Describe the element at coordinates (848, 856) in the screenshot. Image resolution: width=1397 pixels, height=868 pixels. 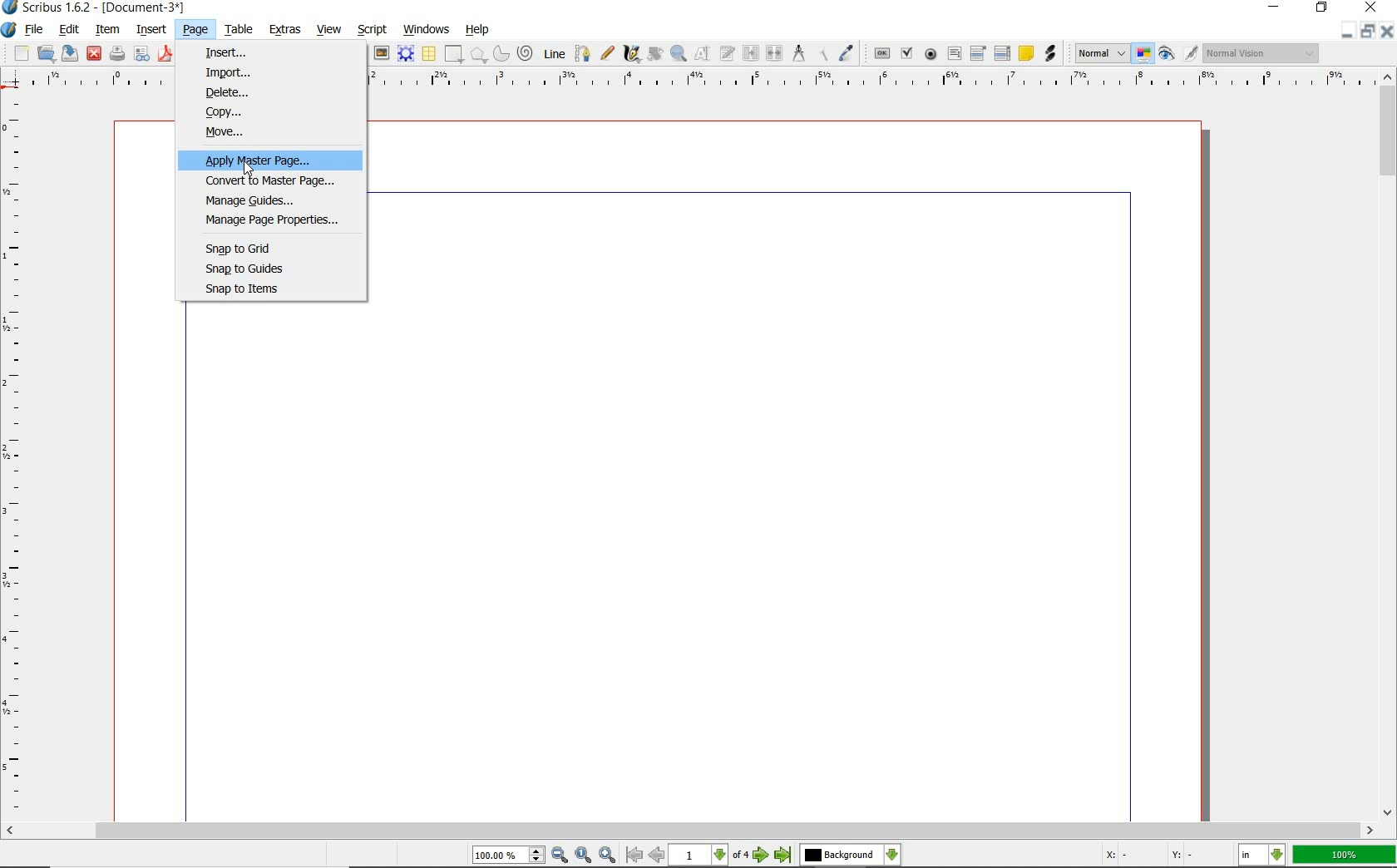
I see `select the current layer` at that location.